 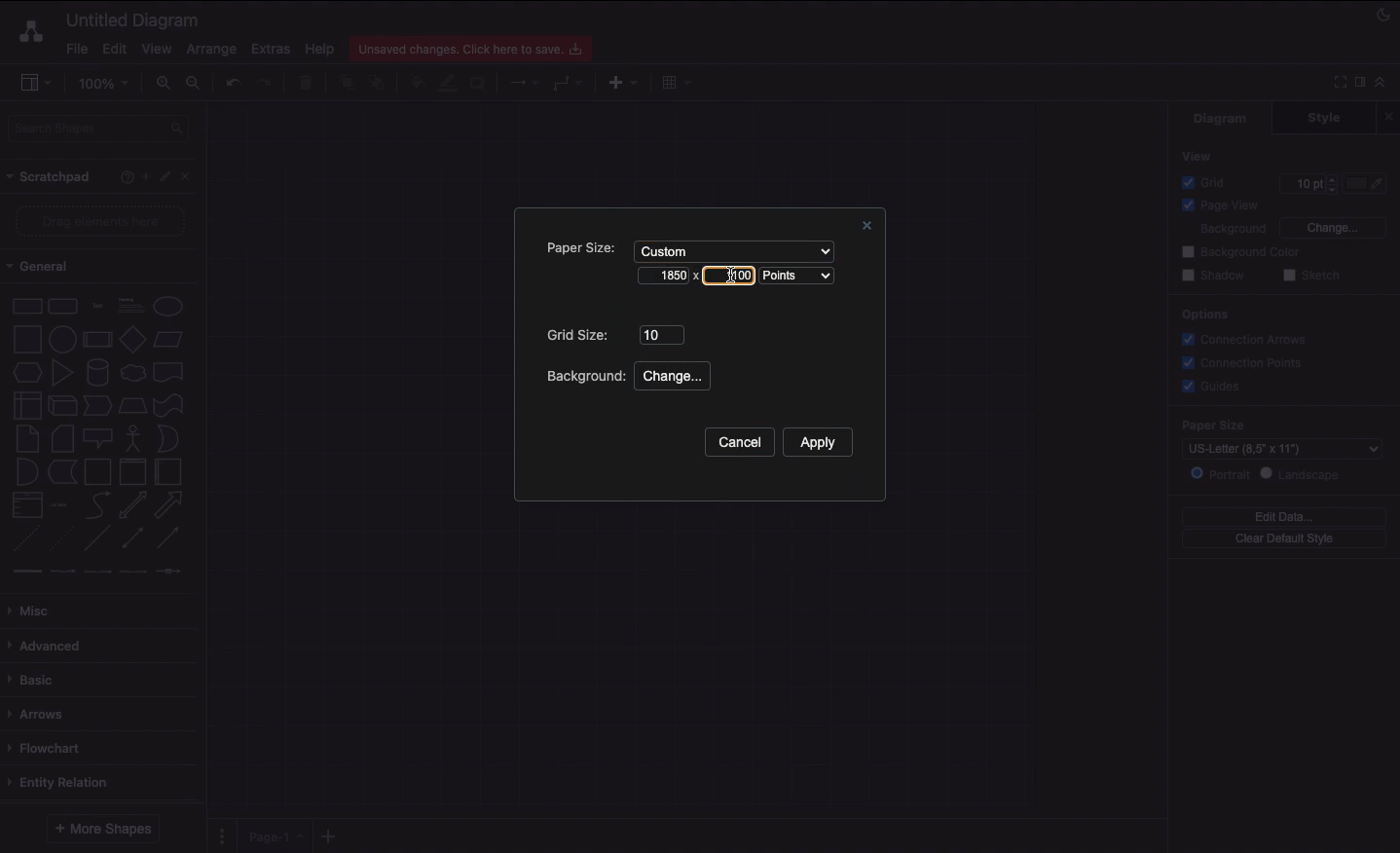 What do you see at coordinates (134, 570) in the screenshot?
I see `connector 4` at bounding box center [134, 570].